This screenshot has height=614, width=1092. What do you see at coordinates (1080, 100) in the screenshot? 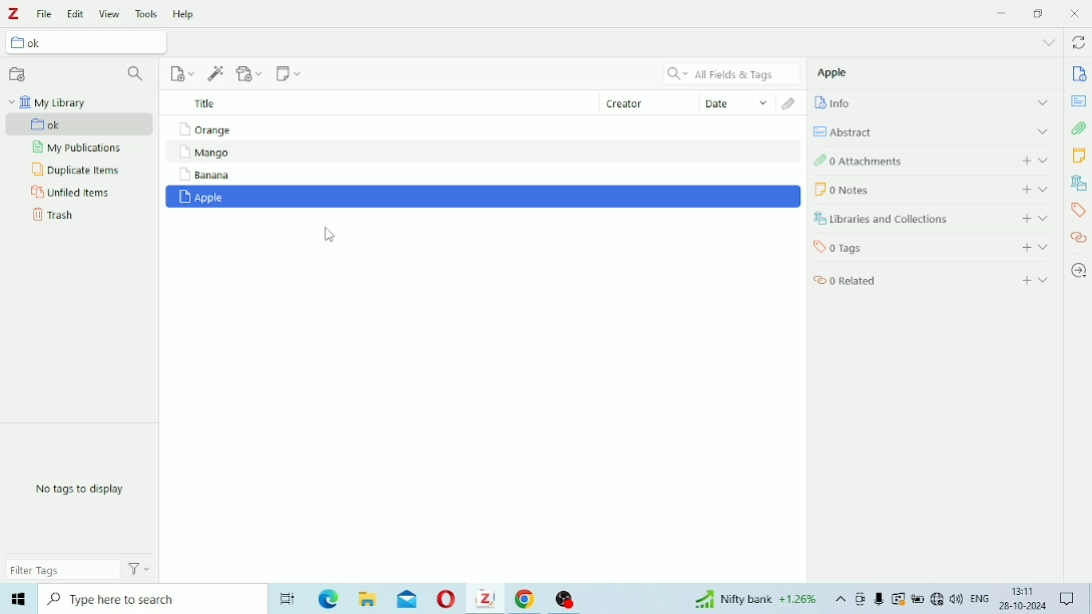
I see `Abstract` at bounding box center [1080, 100].